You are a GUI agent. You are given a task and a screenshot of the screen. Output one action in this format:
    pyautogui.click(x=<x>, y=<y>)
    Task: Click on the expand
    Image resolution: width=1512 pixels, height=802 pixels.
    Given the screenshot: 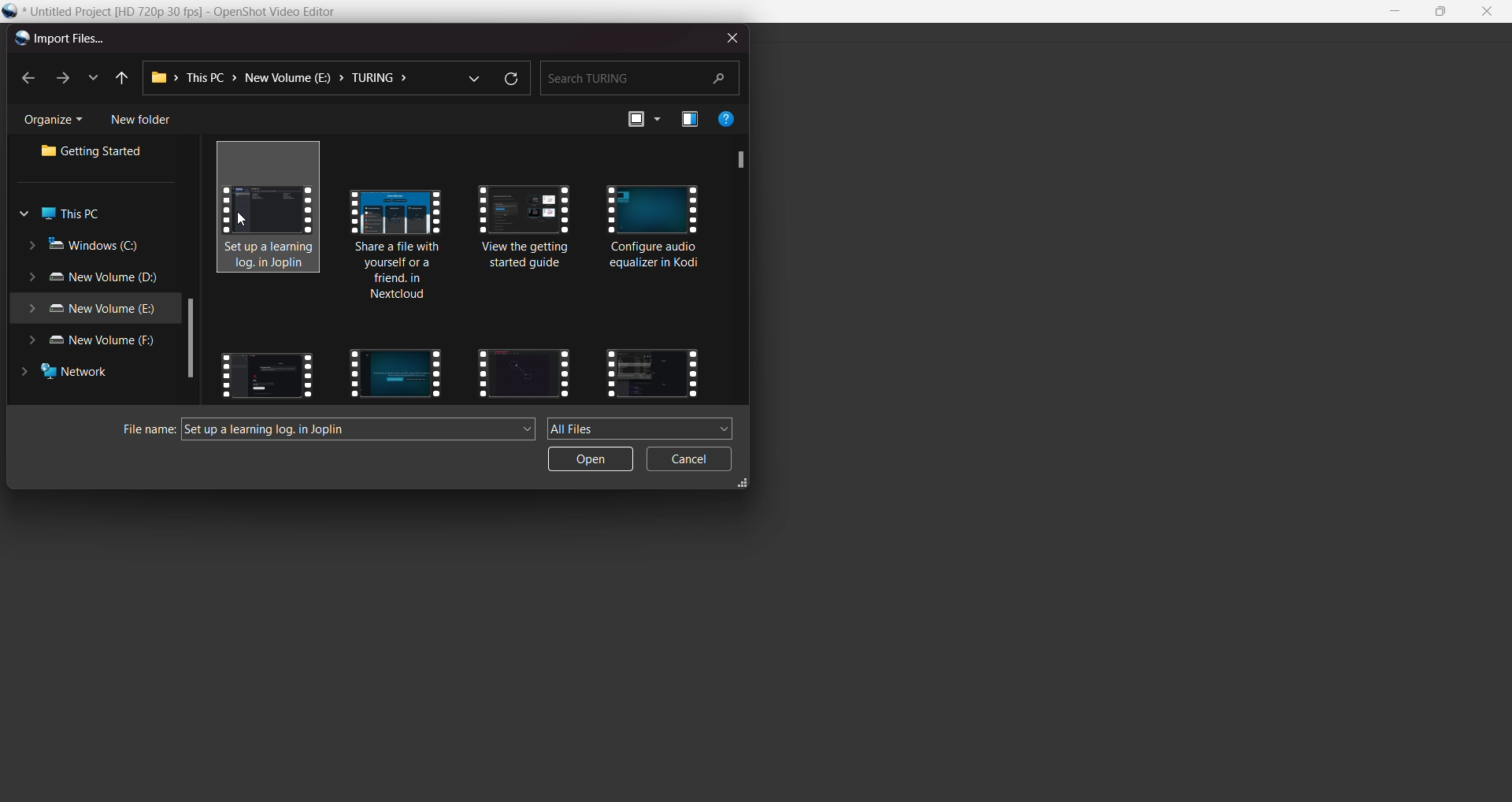 What is the action you would take?
    pyautogui.click(x=744, y=485)
    